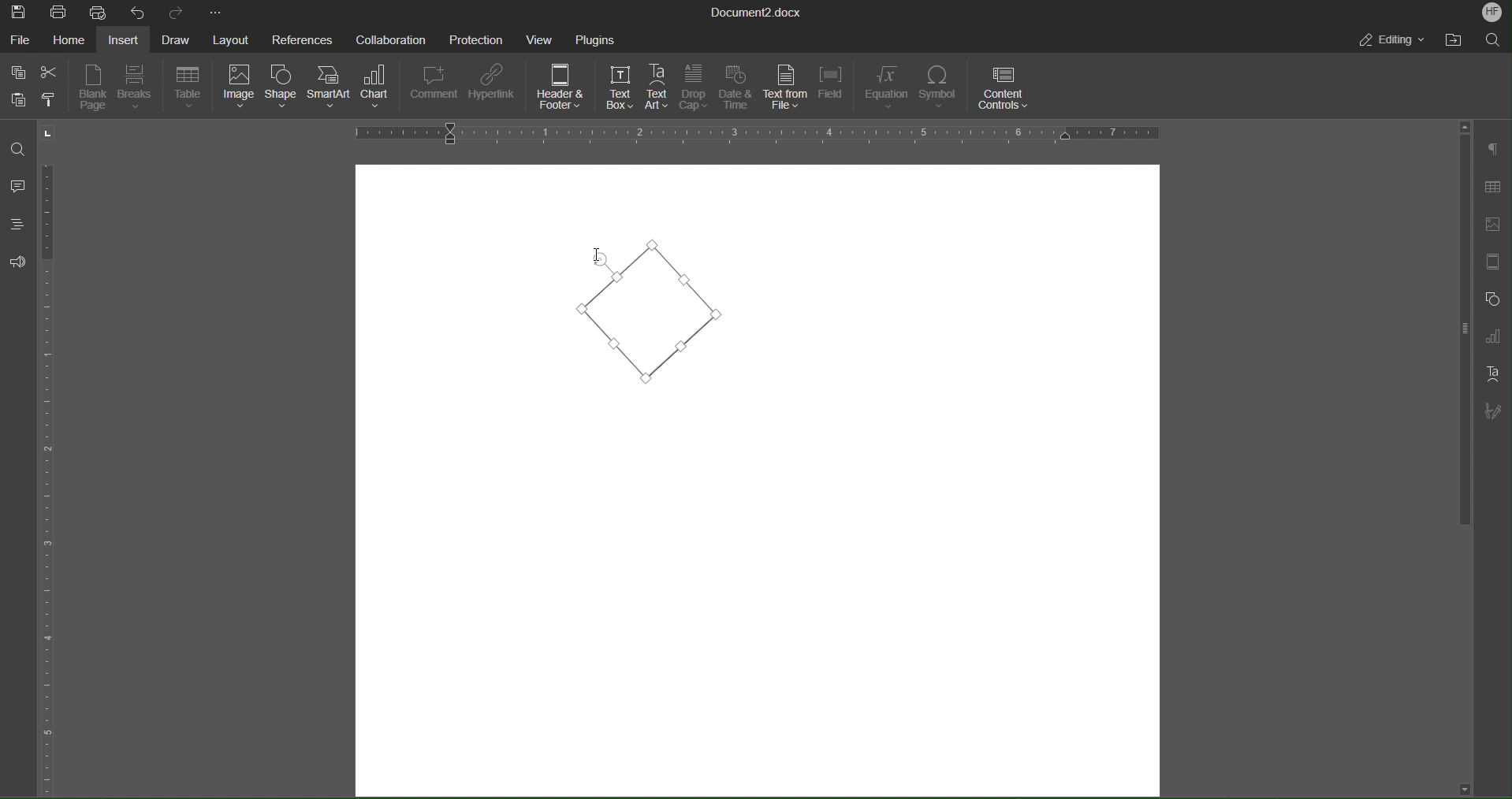  Describe the element at coordinates (136, 12) in the screenshot. I see `Undo` at that location.